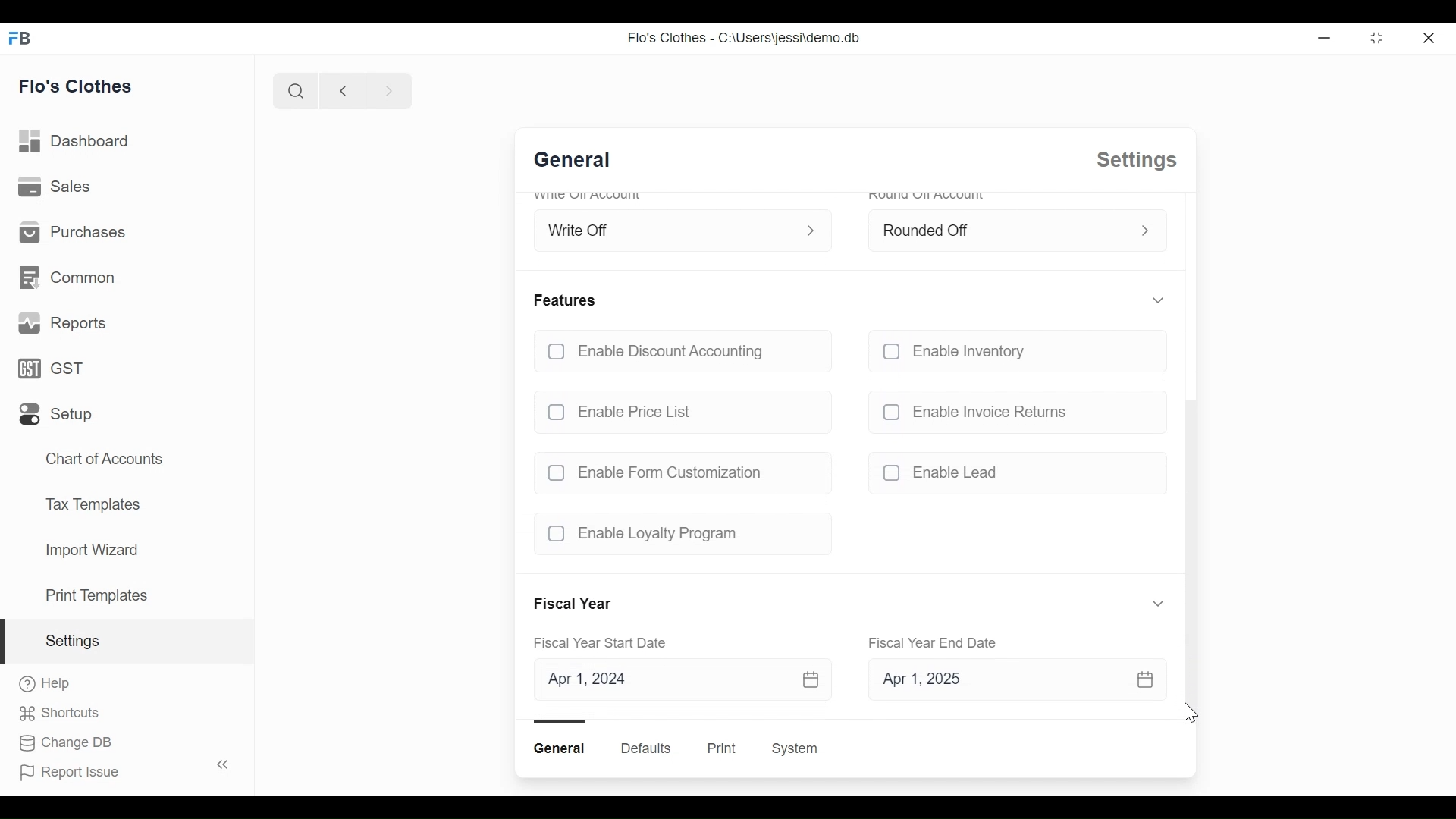 The image size is (1456, 819). Describe the element at coordinates (1145, 231) in the screenshot. I see `Expand` at that location.